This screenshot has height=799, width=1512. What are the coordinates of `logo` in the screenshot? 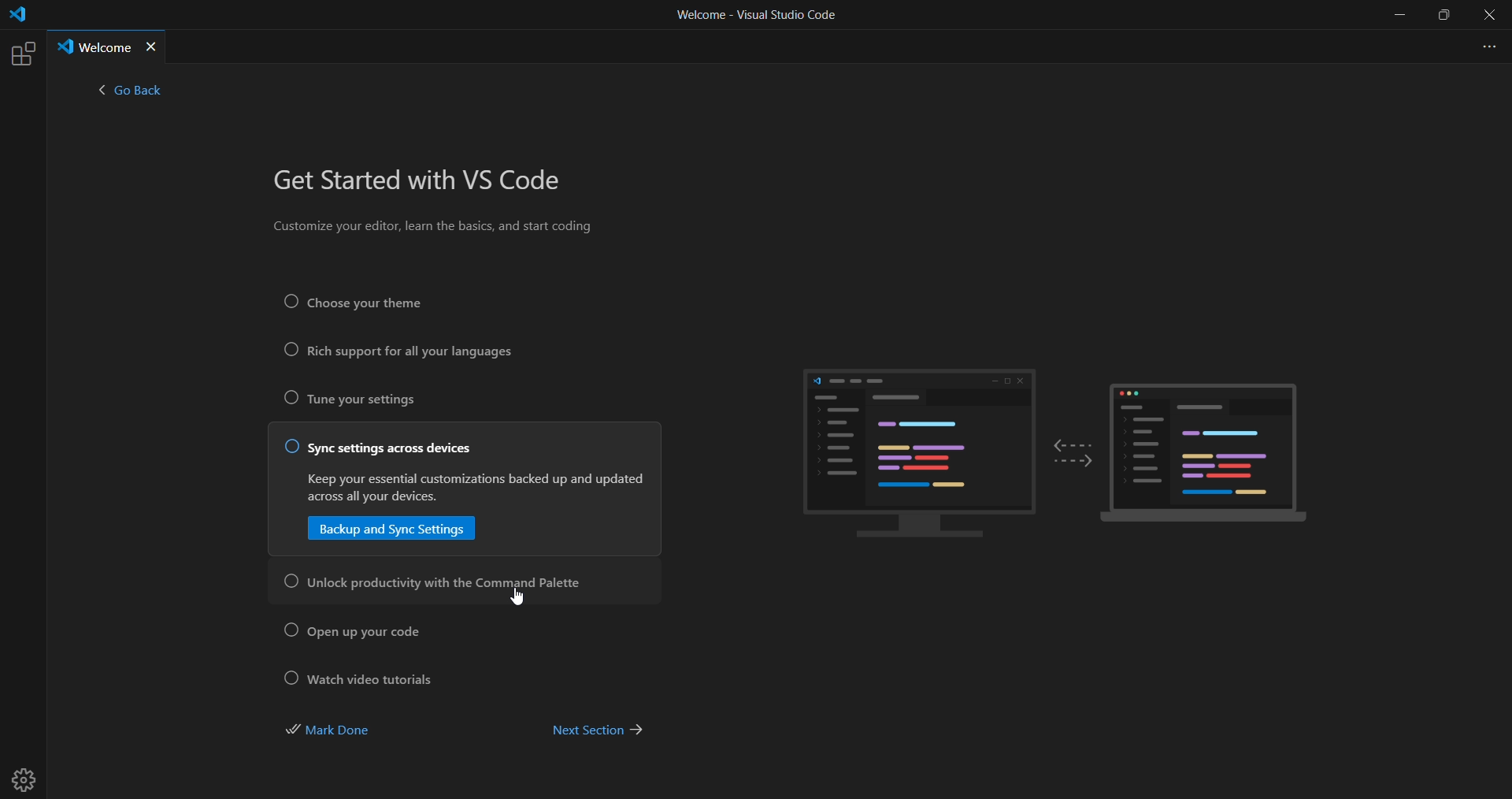 It's located at (17, 17).